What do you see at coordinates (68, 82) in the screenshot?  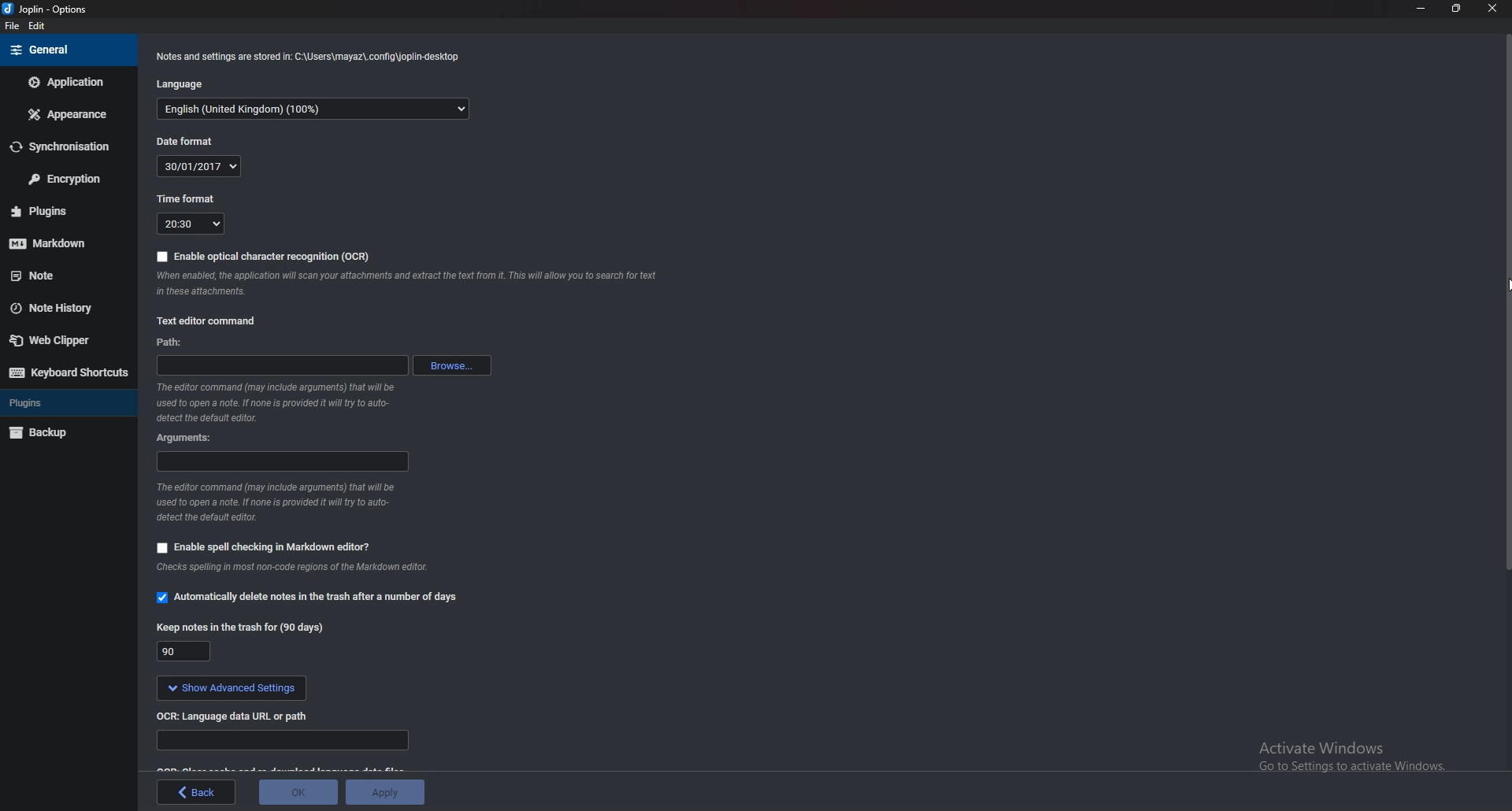 I see `Application` at bounding box center [68, 82].